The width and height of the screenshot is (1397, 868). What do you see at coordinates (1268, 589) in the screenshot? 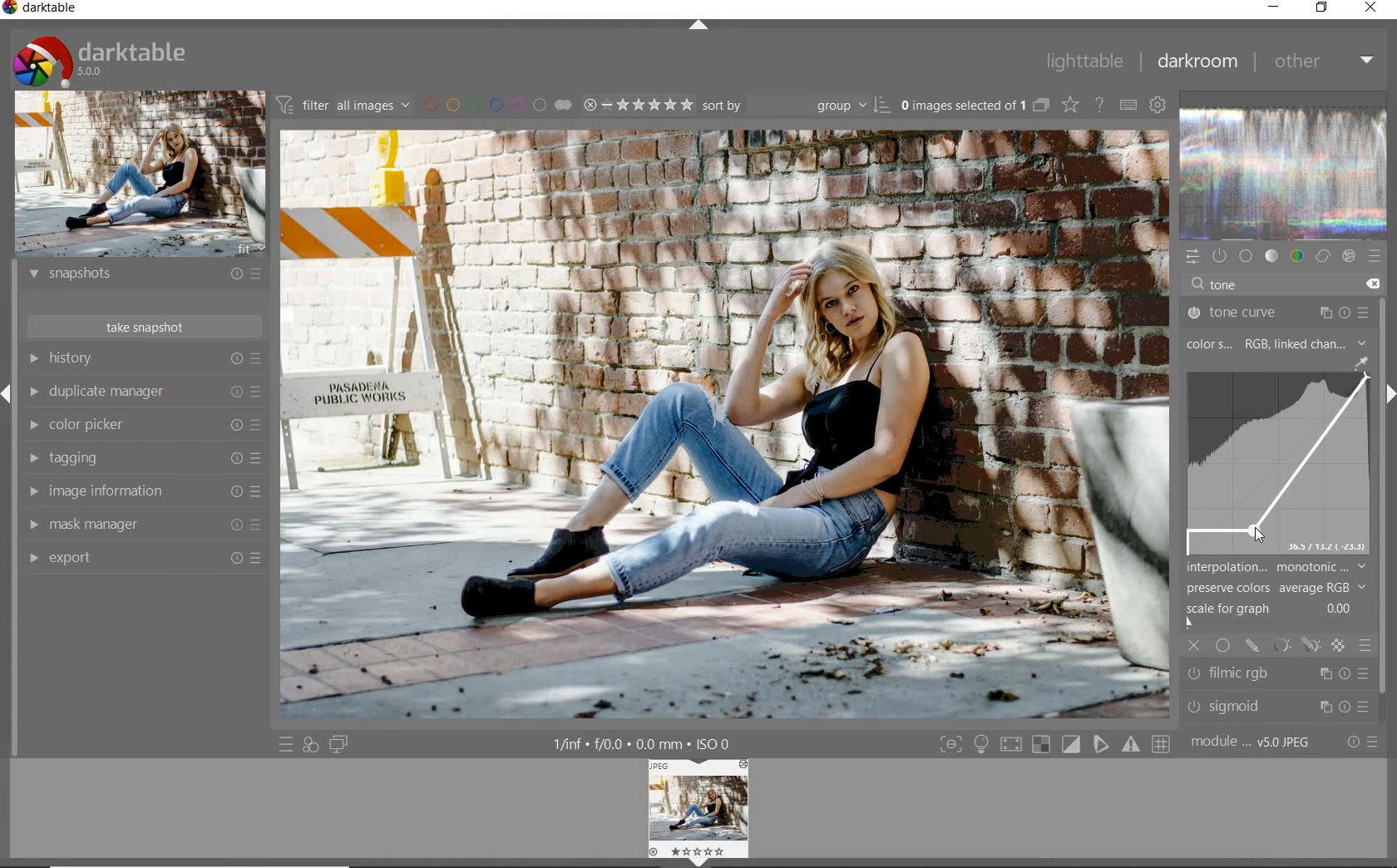
I see `preserve colors` at bounding box center [1268, 589].